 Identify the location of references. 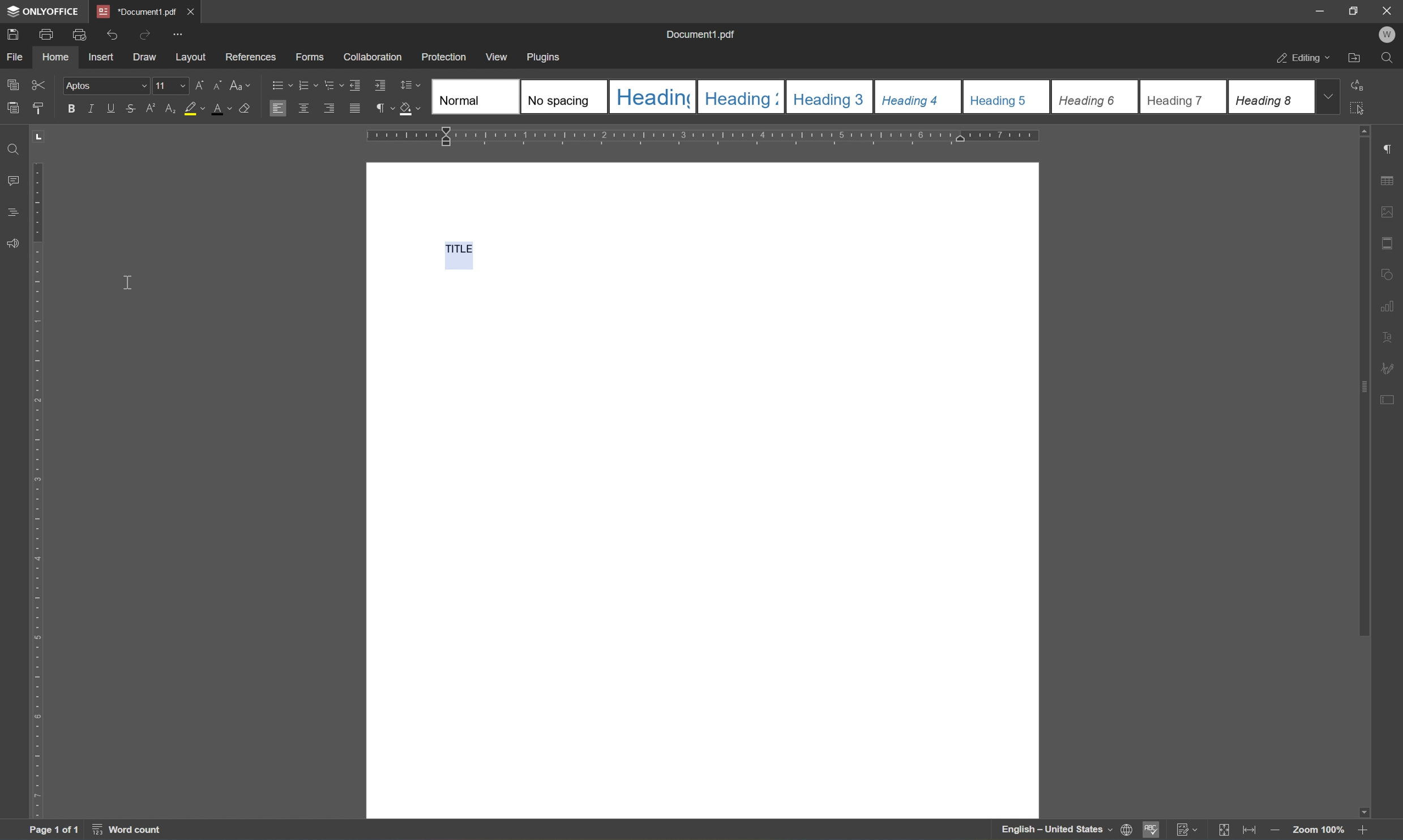
(251, 58).